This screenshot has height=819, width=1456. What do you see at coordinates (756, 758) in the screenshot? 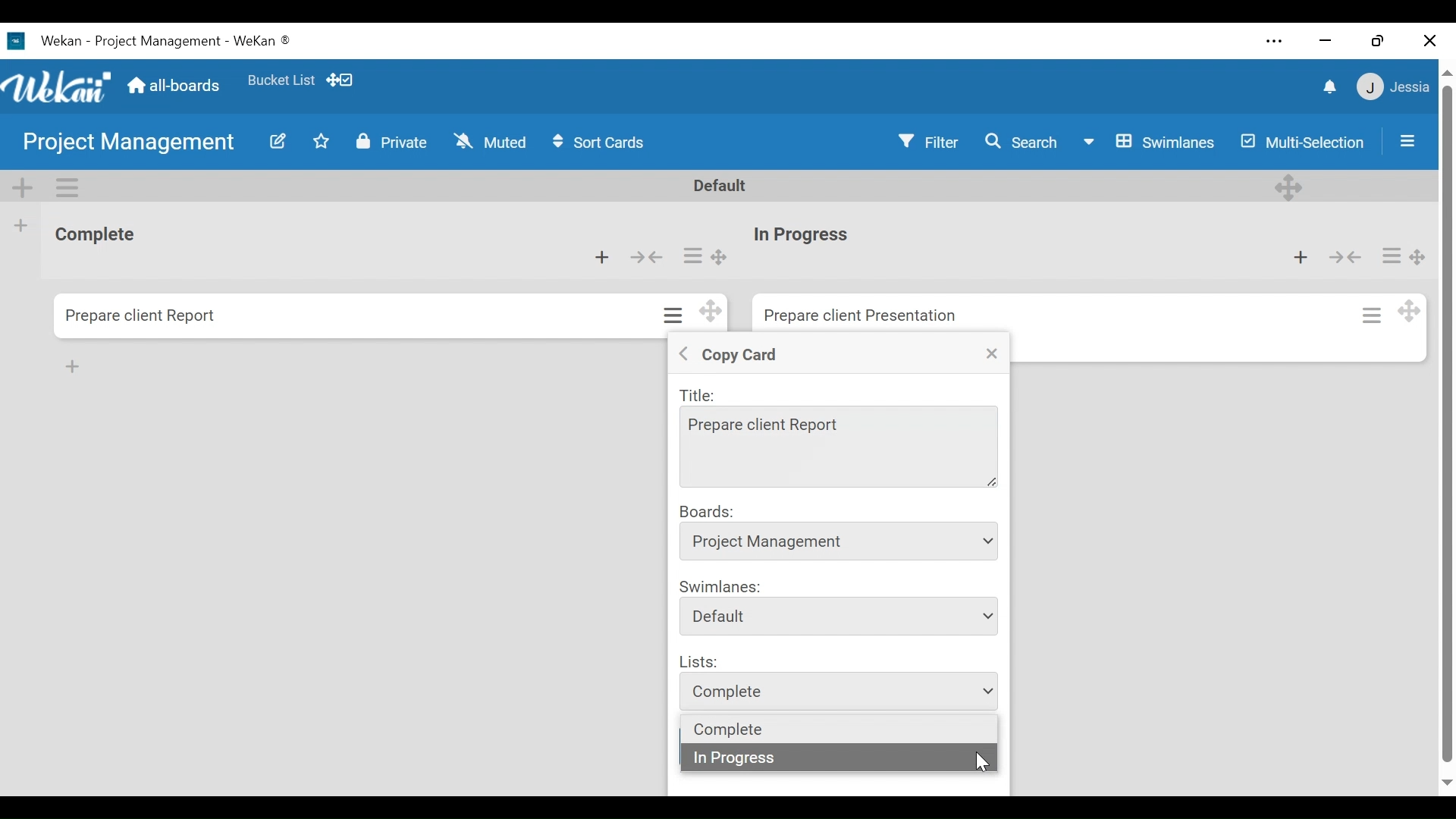
I see `in progress` at bounding box center [756, 758].